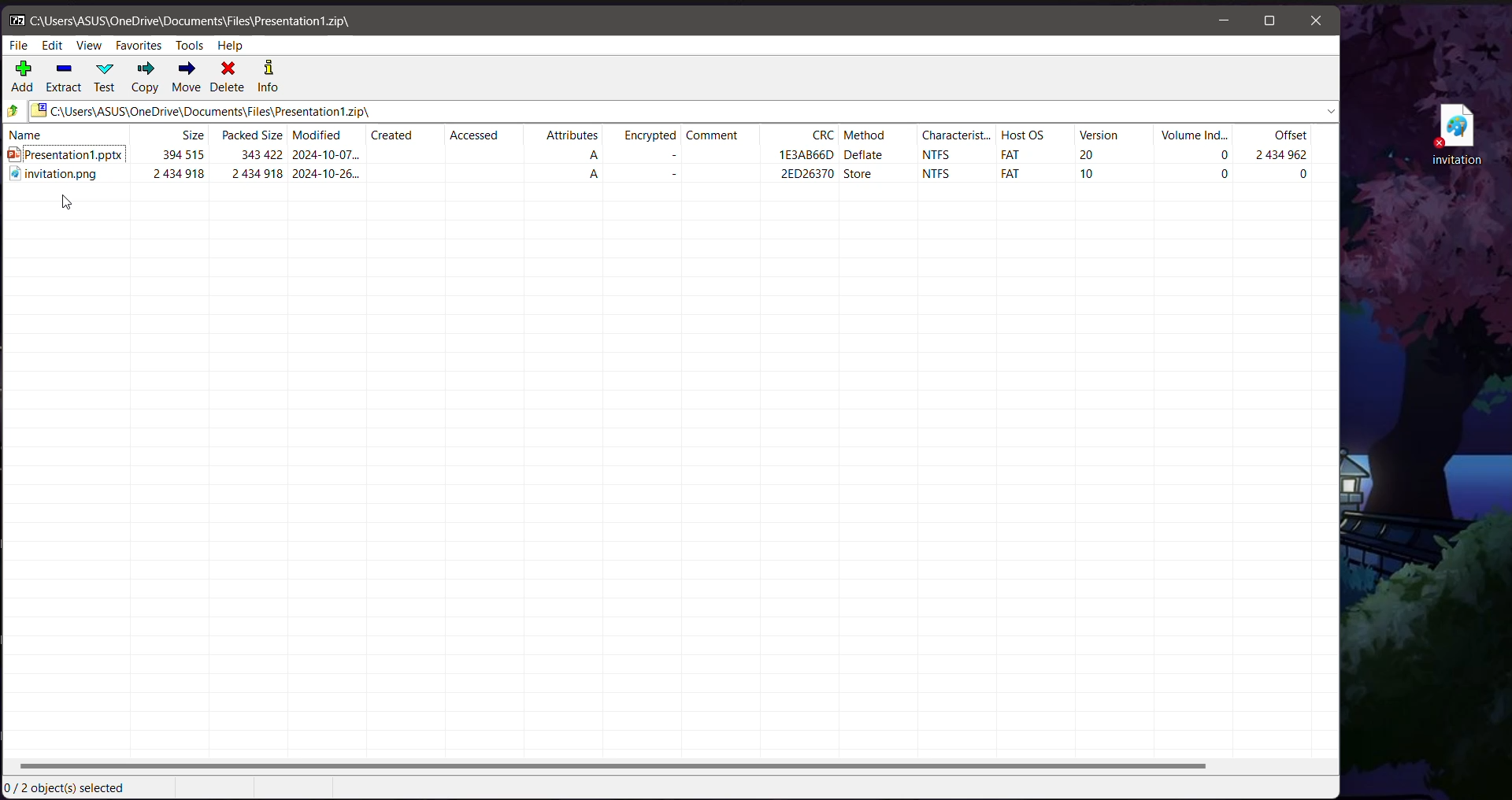  I want to click on The file is available in the selected archive folder, so click(671, 176).